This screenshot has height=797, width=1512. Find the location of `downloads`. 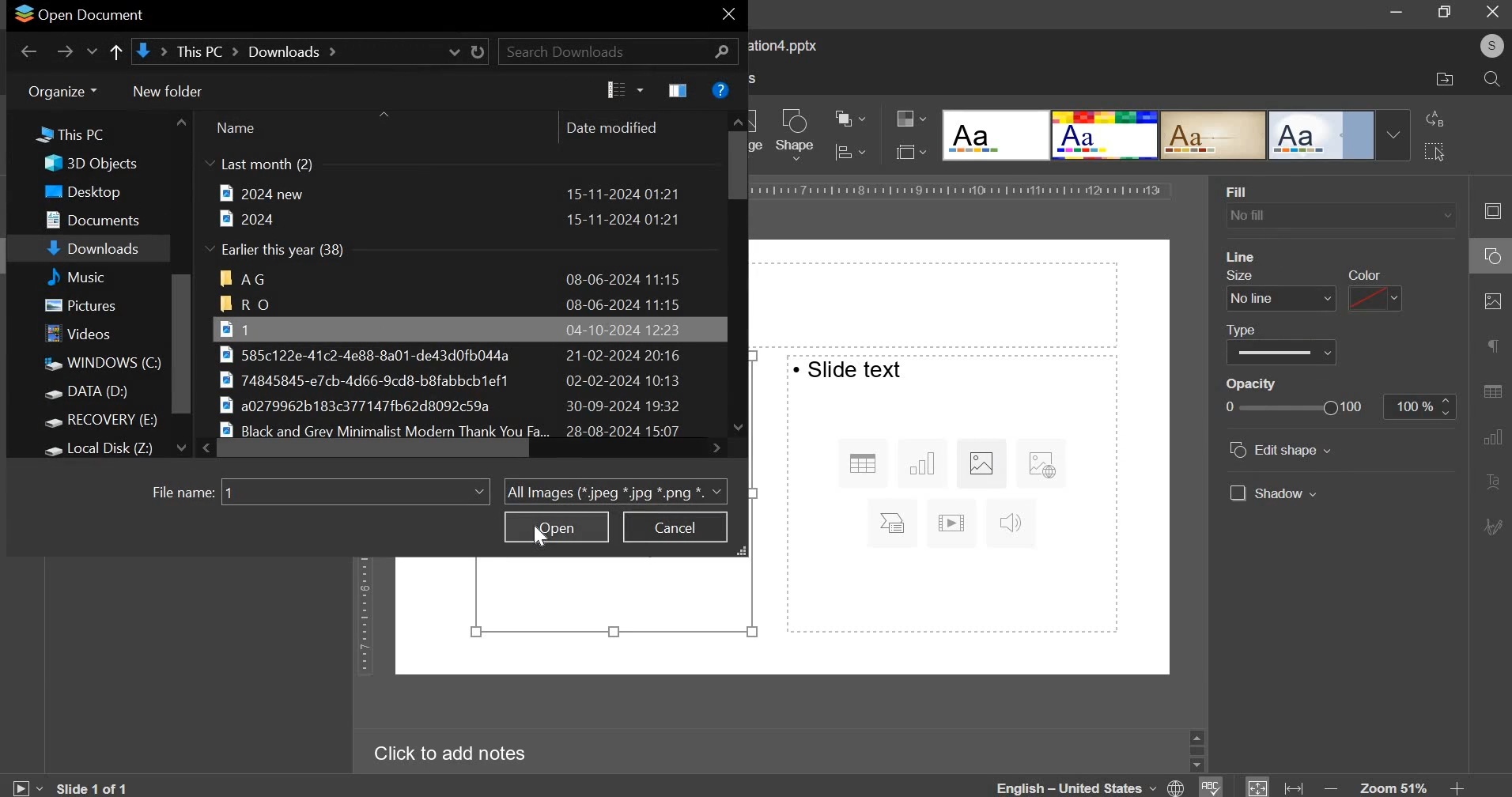

downloads is located at coordinates (96, 250).